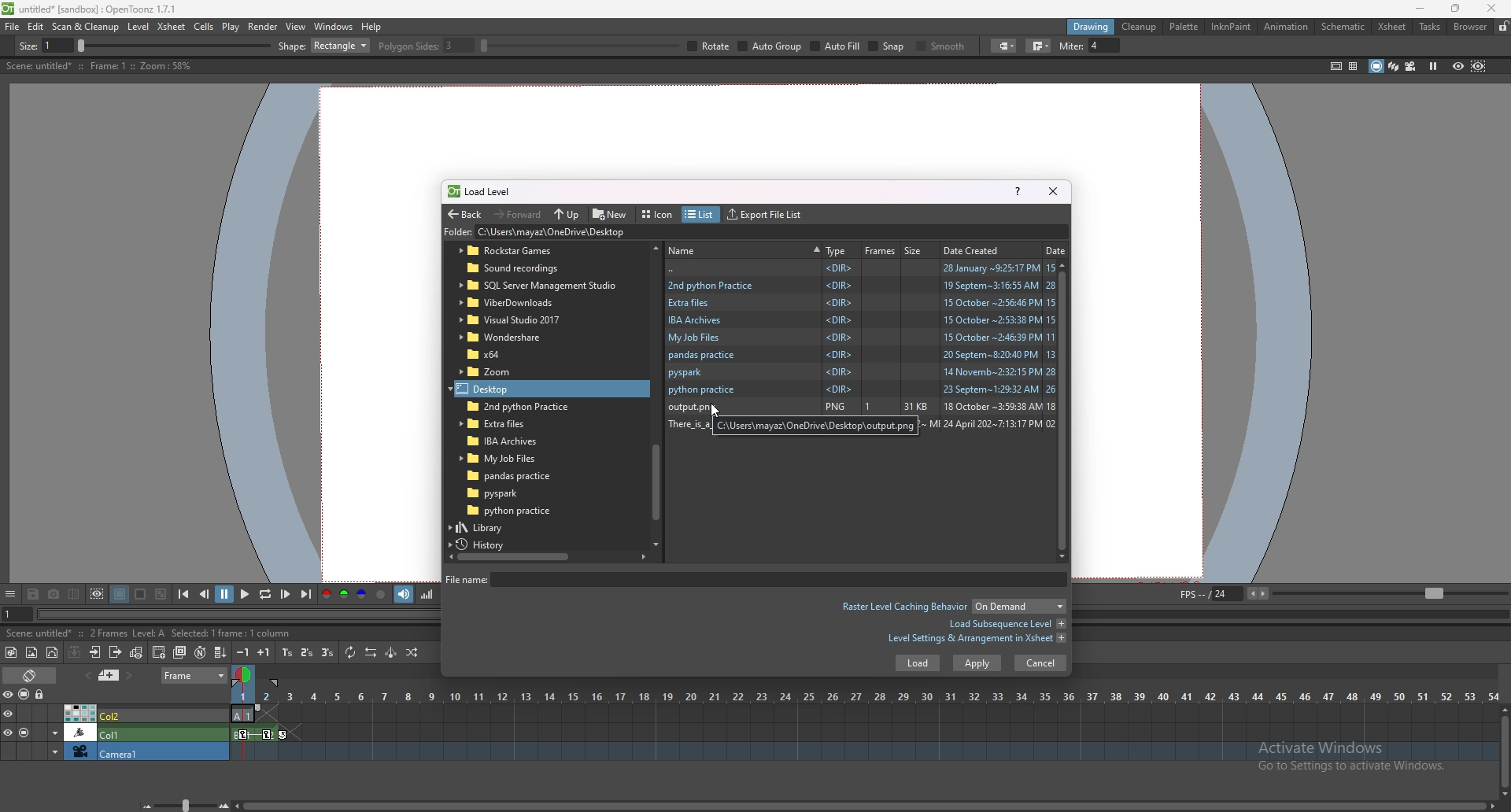 The width and height of the screenshot is (1511, 812). Describe the element at coordinates (1184, 26) in the screenshot. I see `palette` at that location.